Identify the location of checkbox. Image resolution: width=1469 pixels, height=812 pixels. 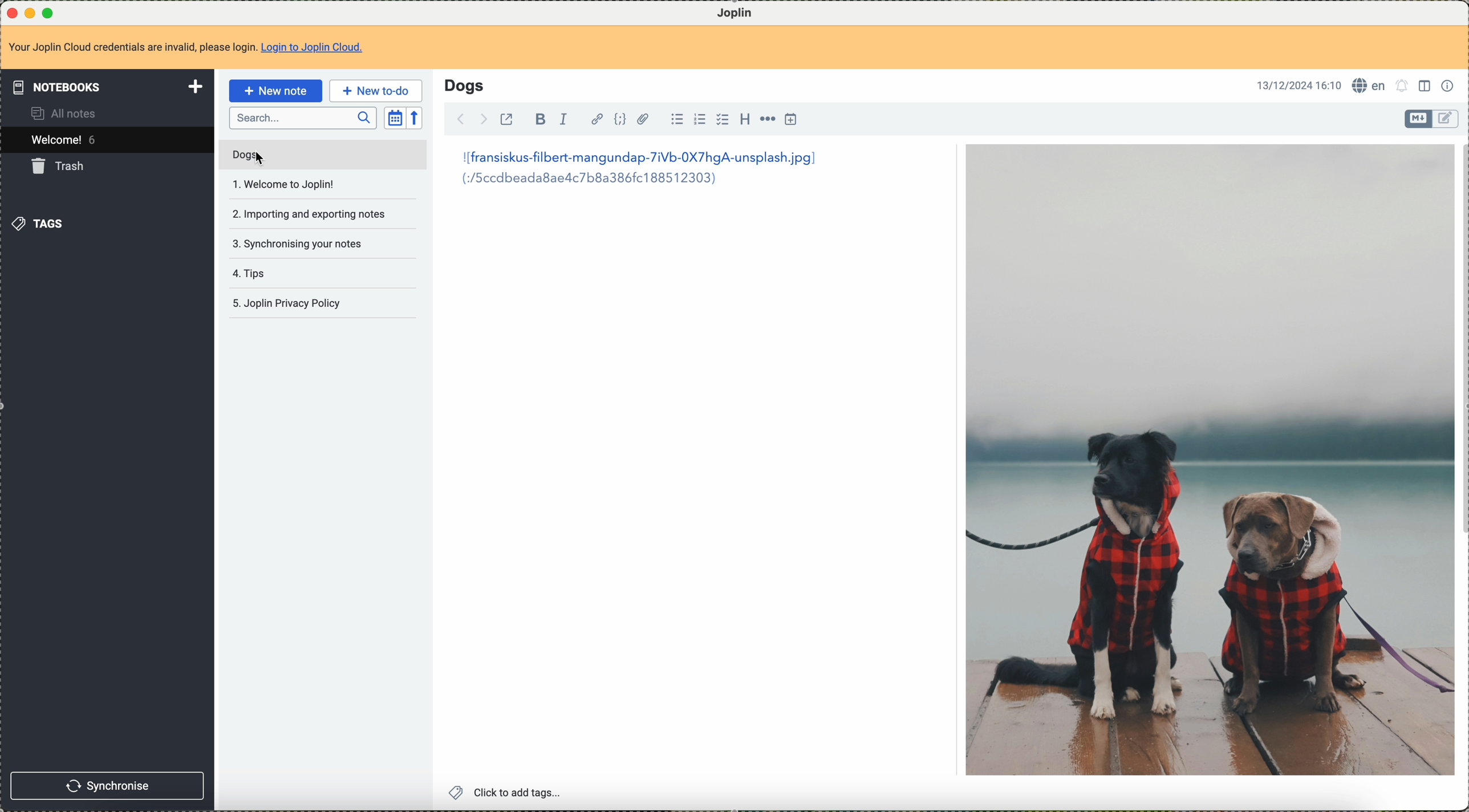
(721, 119).